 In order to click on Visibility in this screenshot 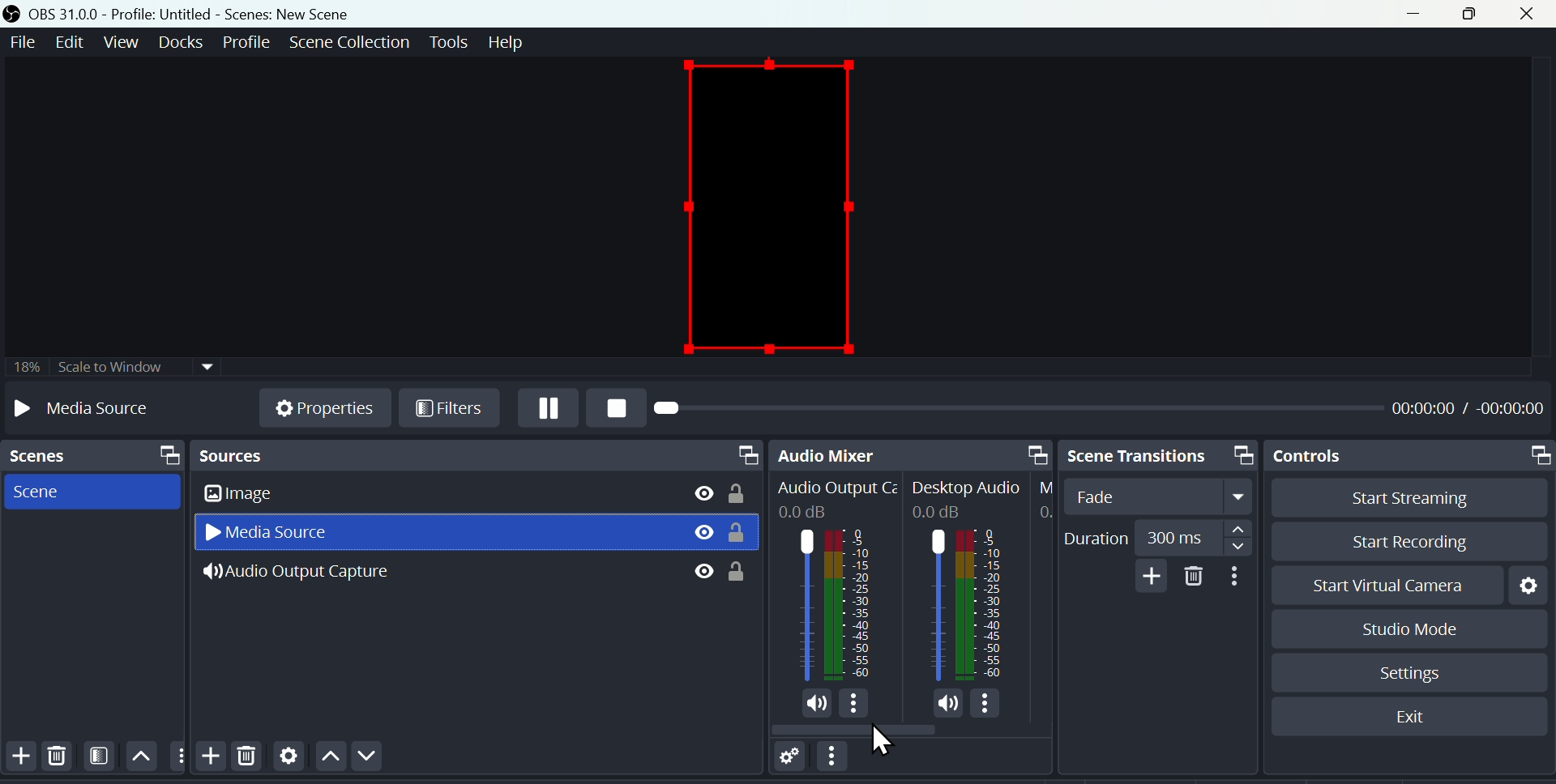, I will do `click(703, 571)`.